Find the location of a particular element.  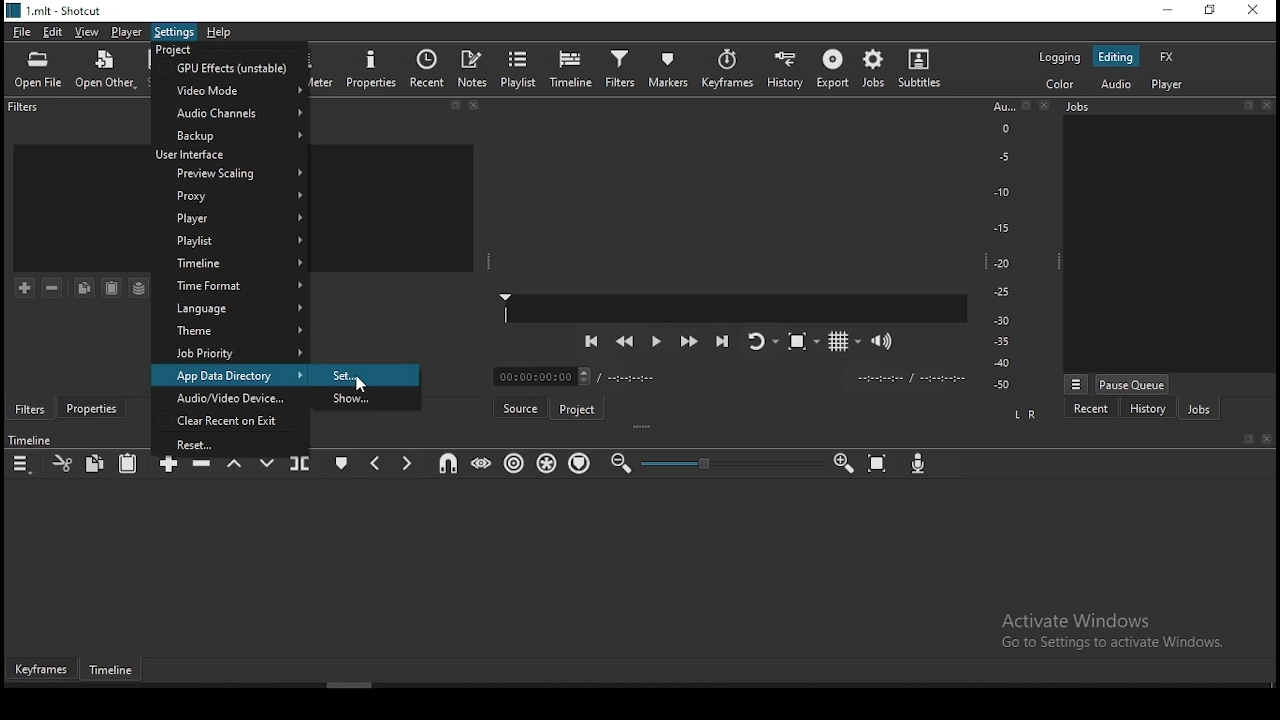

play/pause is located at coordinates (655, 345).